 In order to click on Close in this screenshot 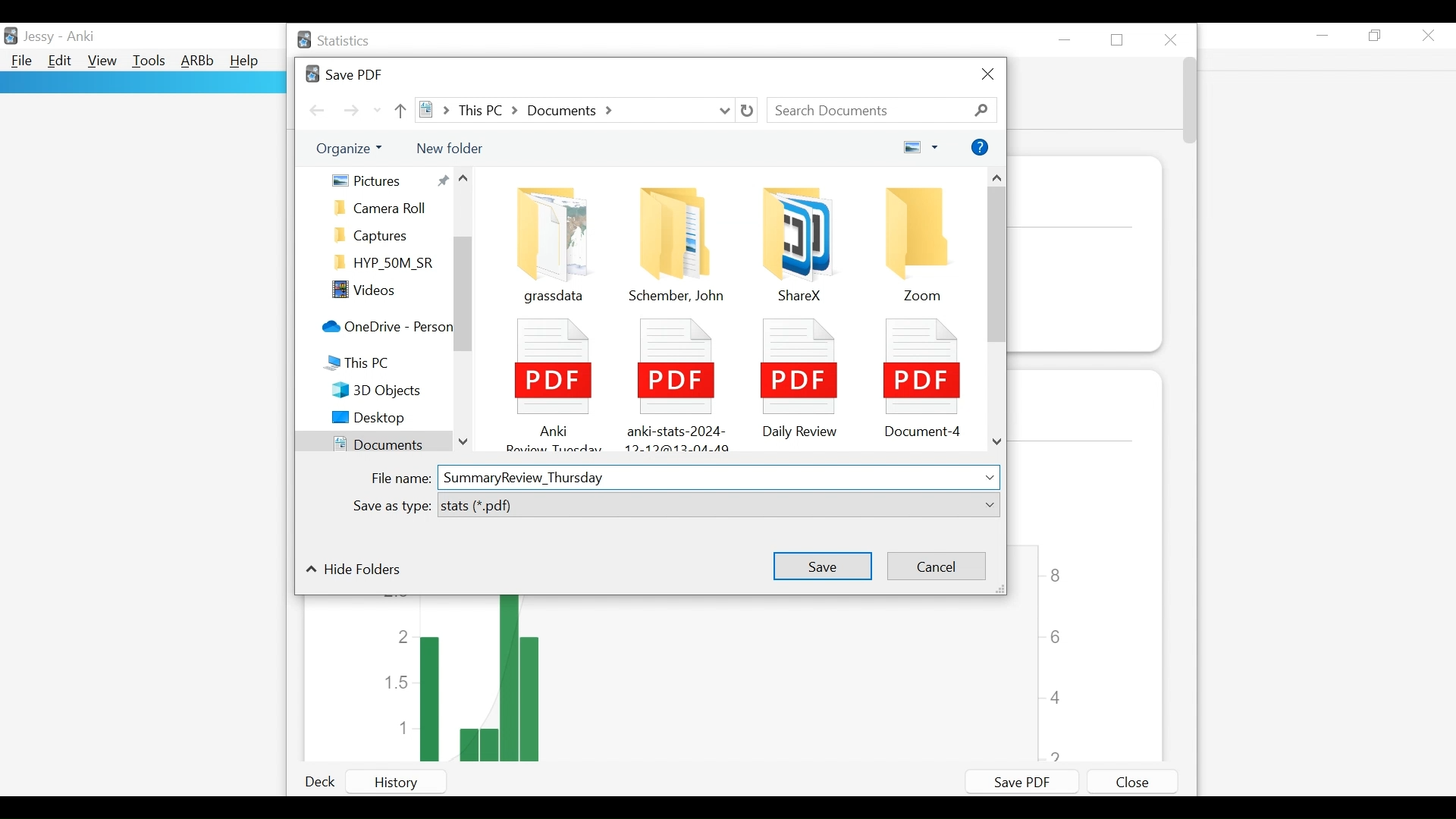, I will do `click(1131, 782)`.